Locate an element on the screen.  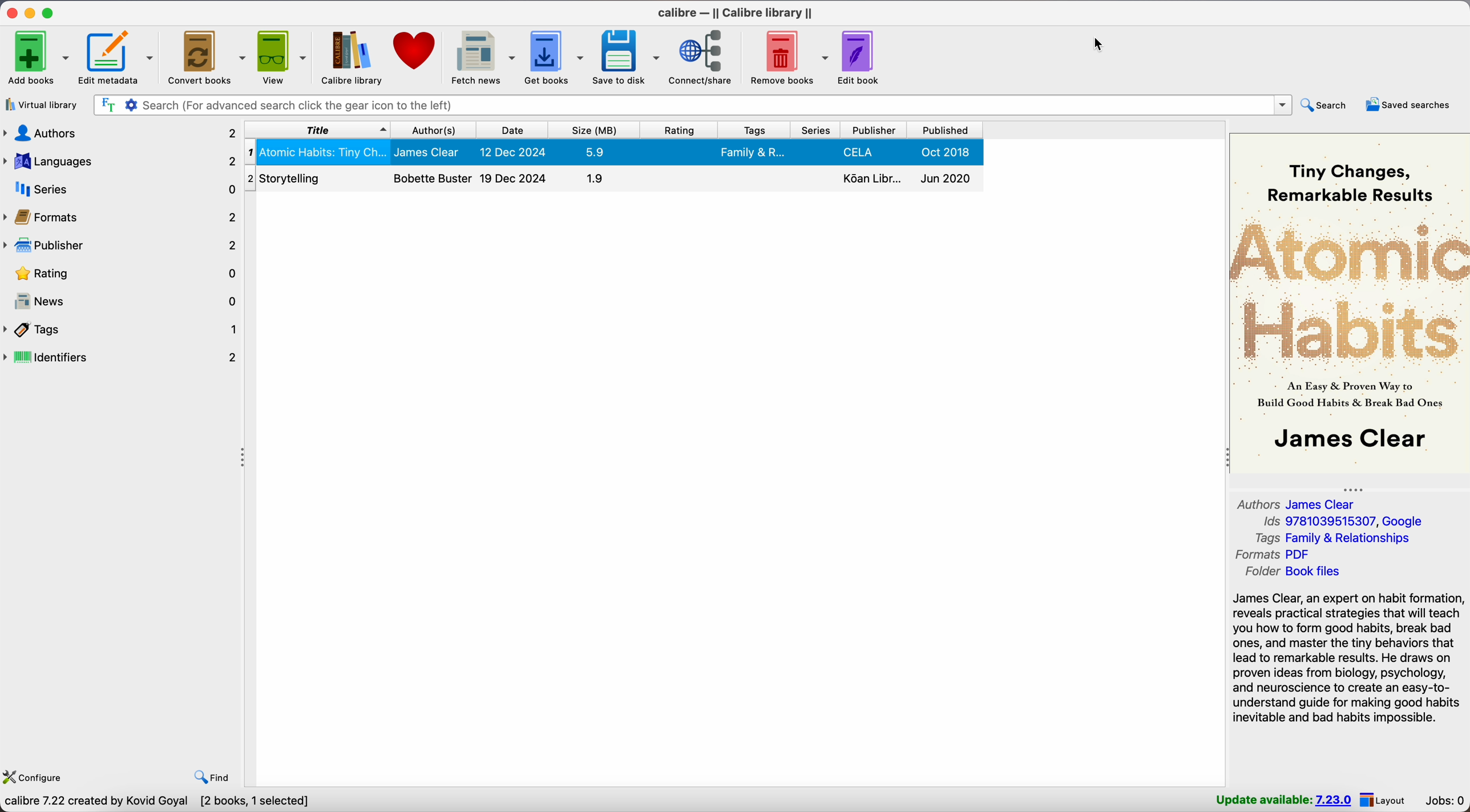
Storytelling is located at coordinates (613, 180).